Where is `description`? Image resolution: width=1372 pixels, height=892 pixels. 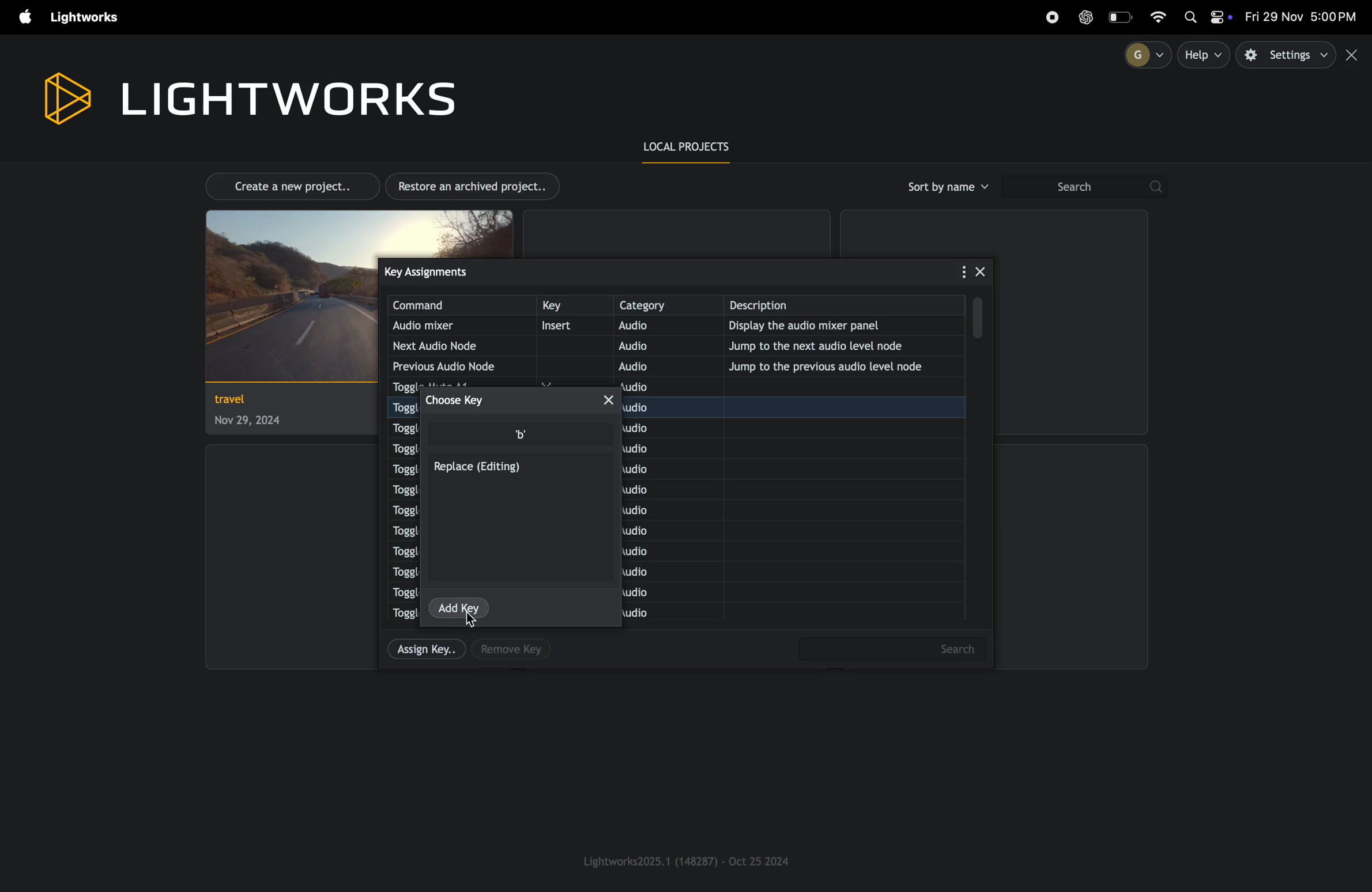 description is located at coordinates (849, 305).